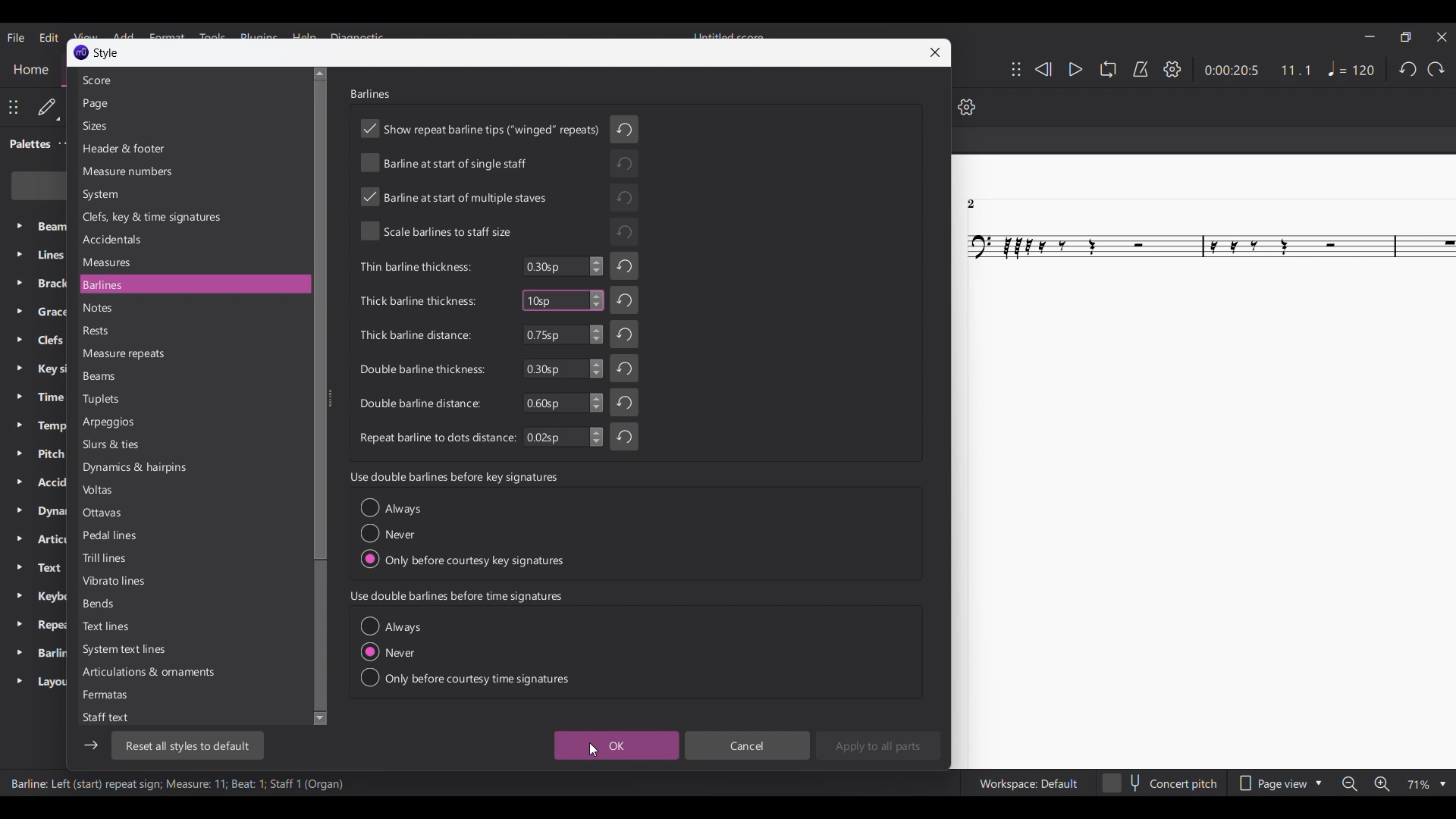 This screenshot has height=819, width=1456. What do you see at coordinates (435, 353) in the screenshot?
I see `Indicates barline setting options` at bounding box center [435, 353].